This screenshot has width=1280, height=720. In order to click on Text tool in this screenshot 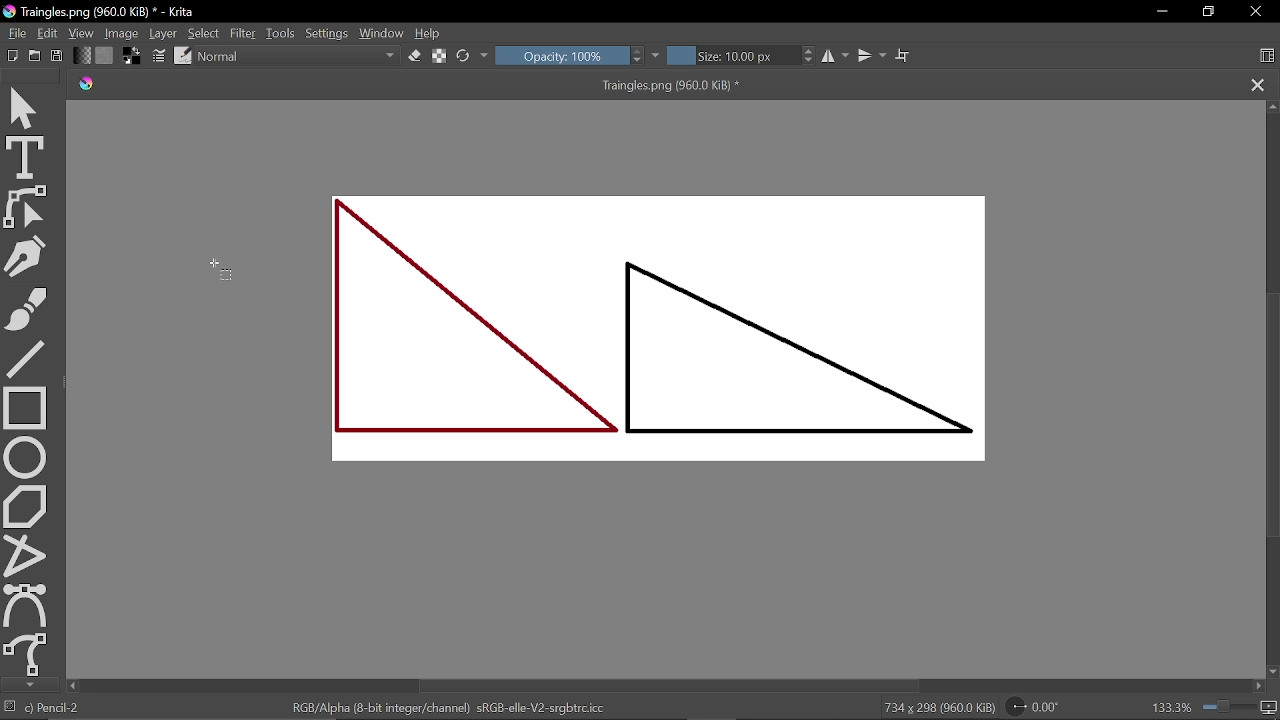, I will do `click(24, 159)`.